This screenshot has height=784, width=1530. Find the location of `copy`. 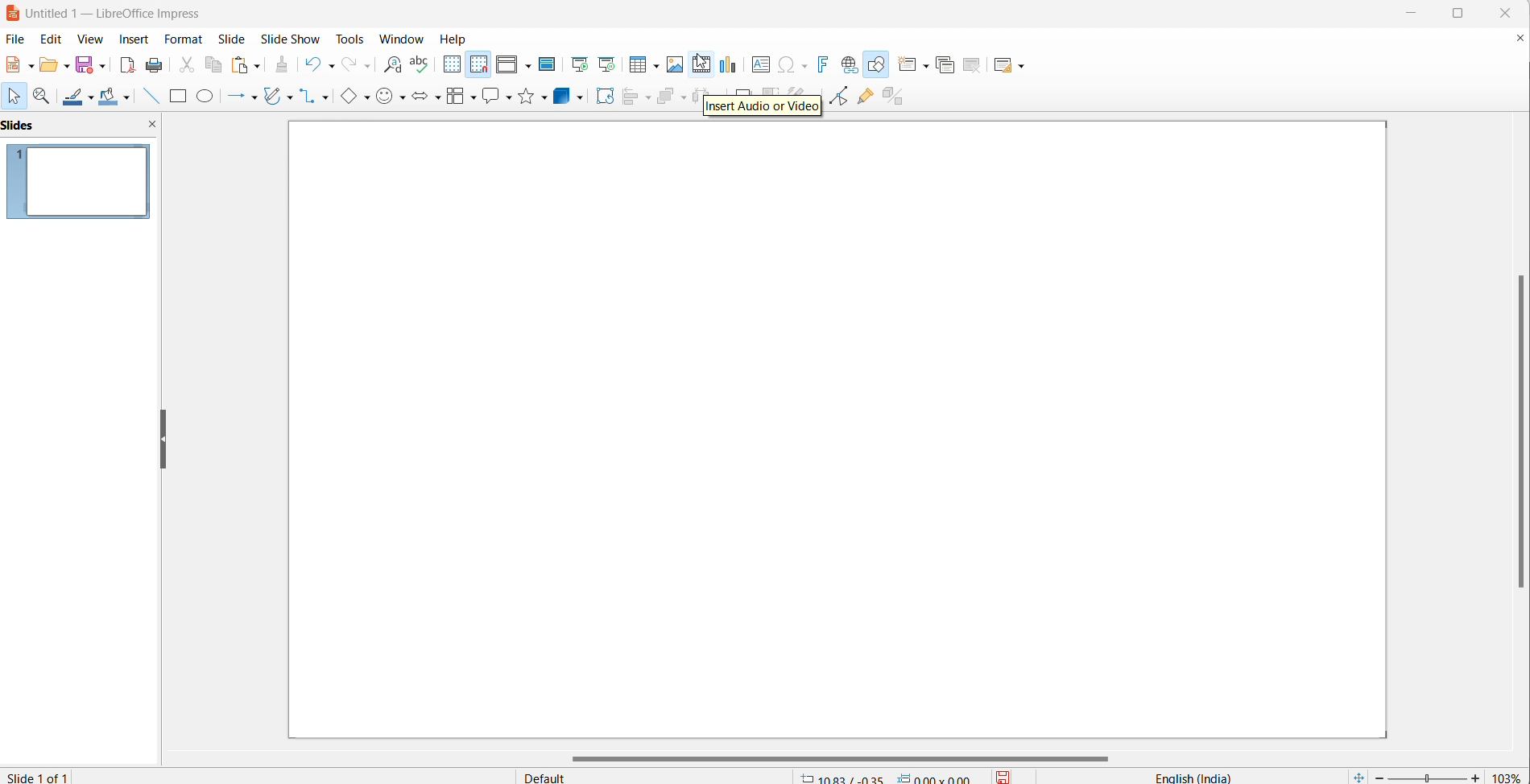

copy is located at coordinates (213, 66).